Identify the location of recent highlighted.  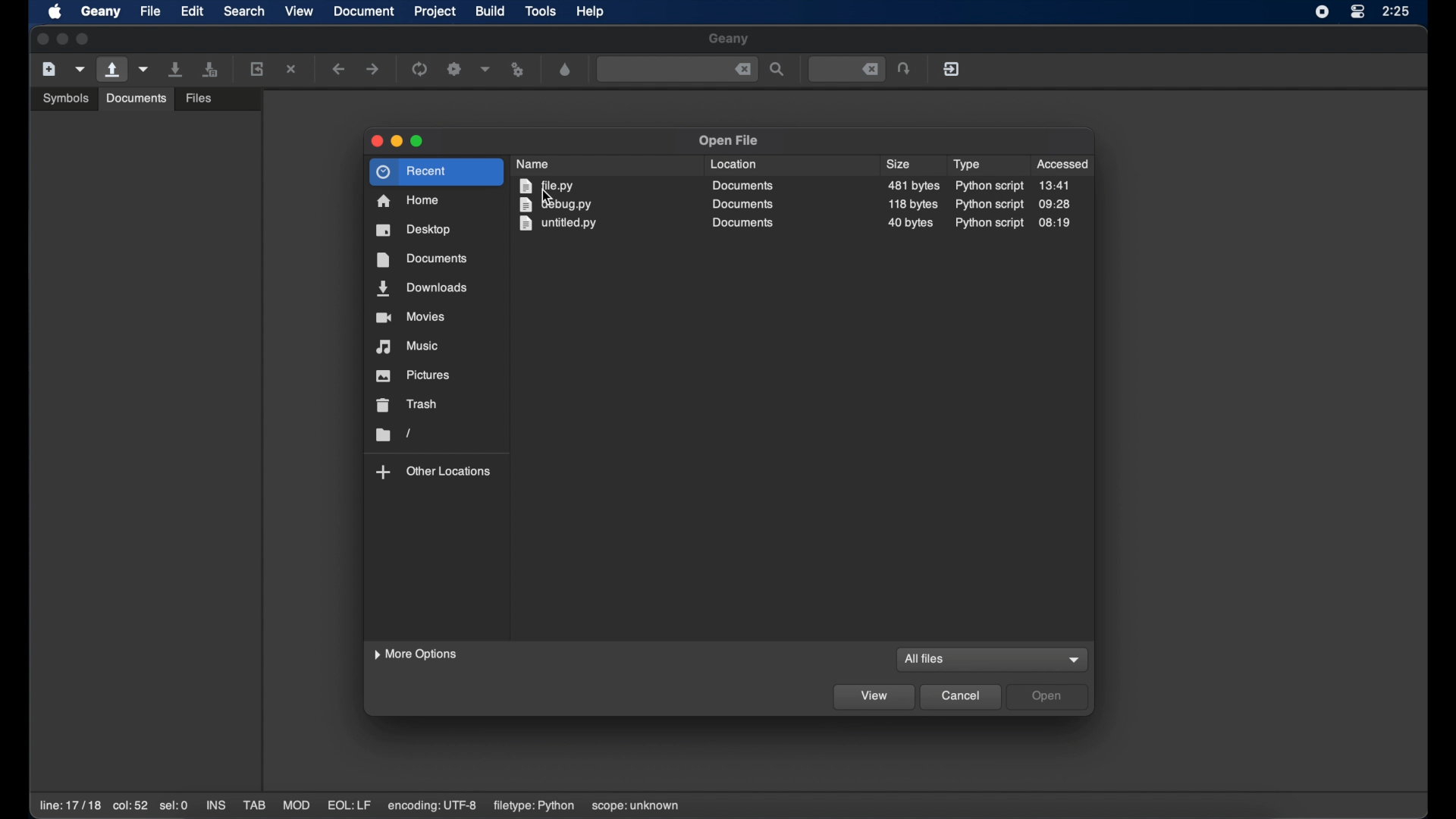
(436, 172).